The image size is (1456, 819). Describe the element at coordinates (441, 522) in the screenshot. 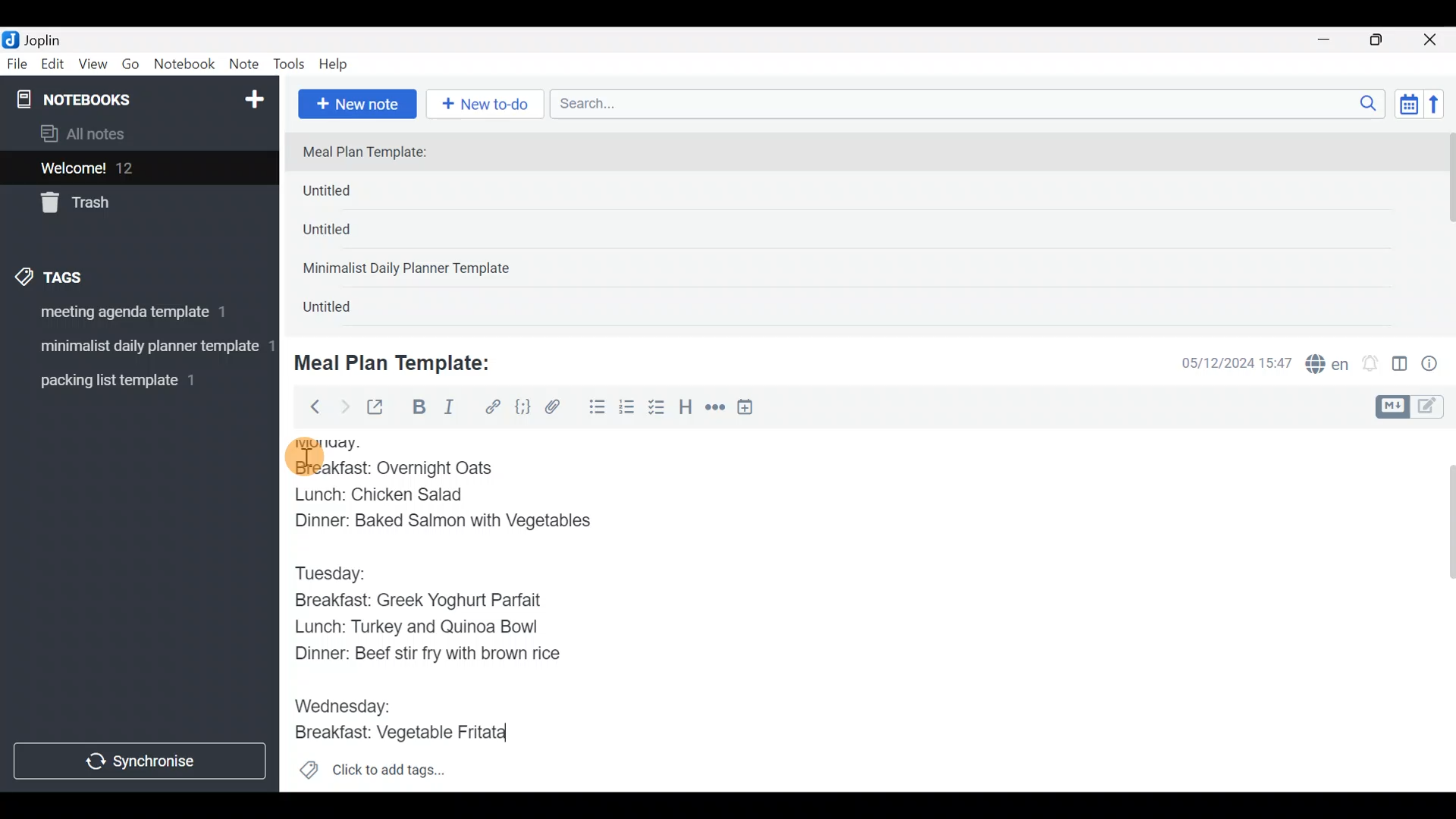

I see `Dinner: Baked Salmon with Vegetables` at that location.